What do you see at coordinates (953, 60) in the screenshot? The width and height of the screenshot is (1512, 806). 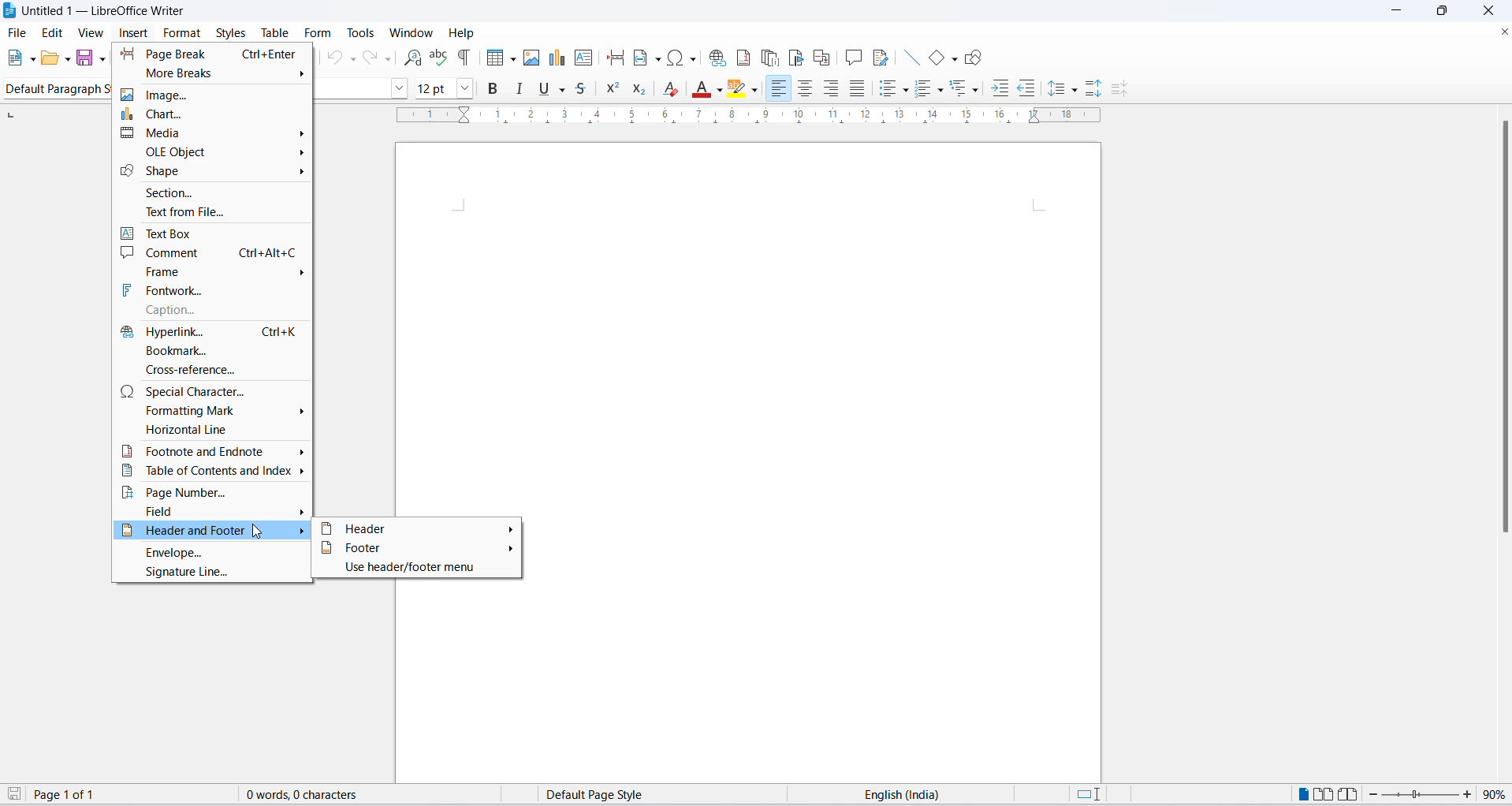 I see `basic shapes options` at bounding box center [953, 60].